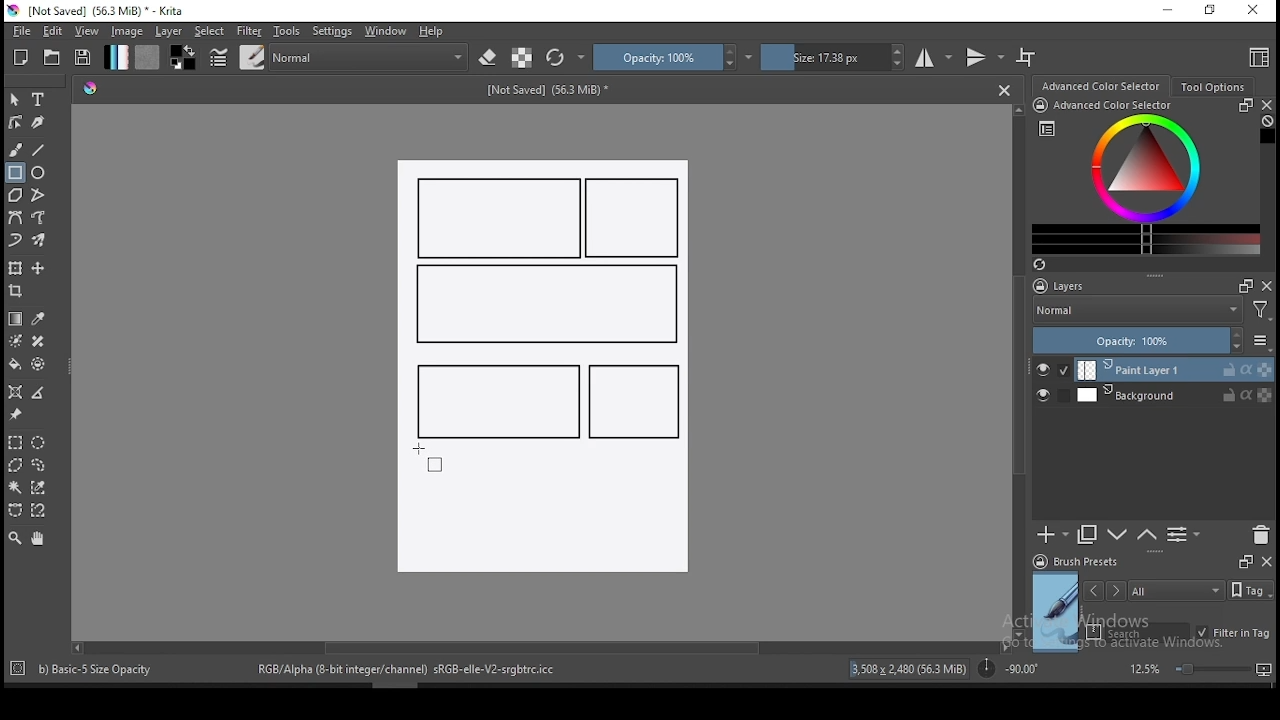 The width and height of the screenshot is (1280, 720). I want to click on crop tool, so click(18, 293).